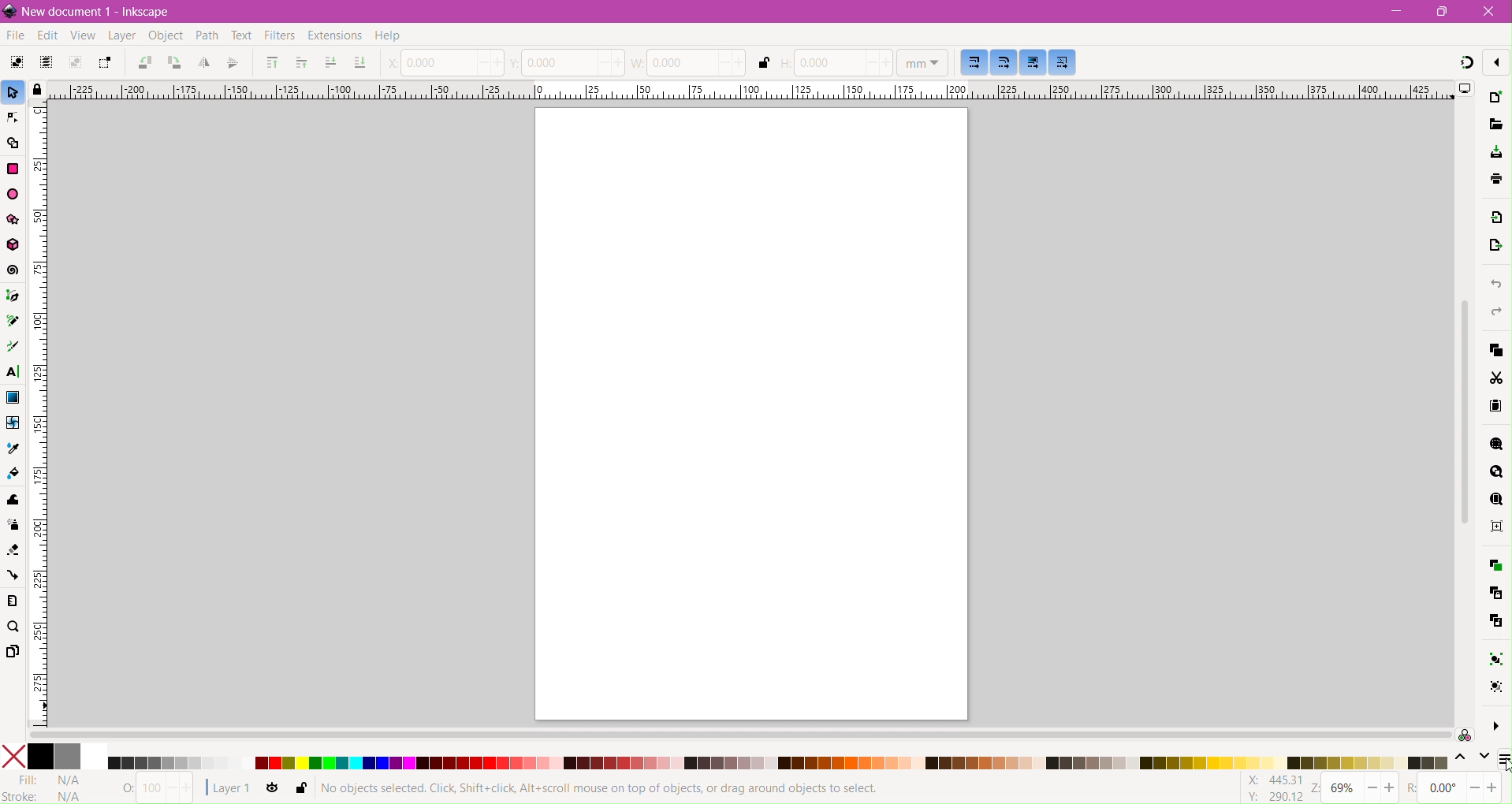  What do you see at coordinates (80, 35) in the screenshot?
I see `View` at bounding box center [80, 35].